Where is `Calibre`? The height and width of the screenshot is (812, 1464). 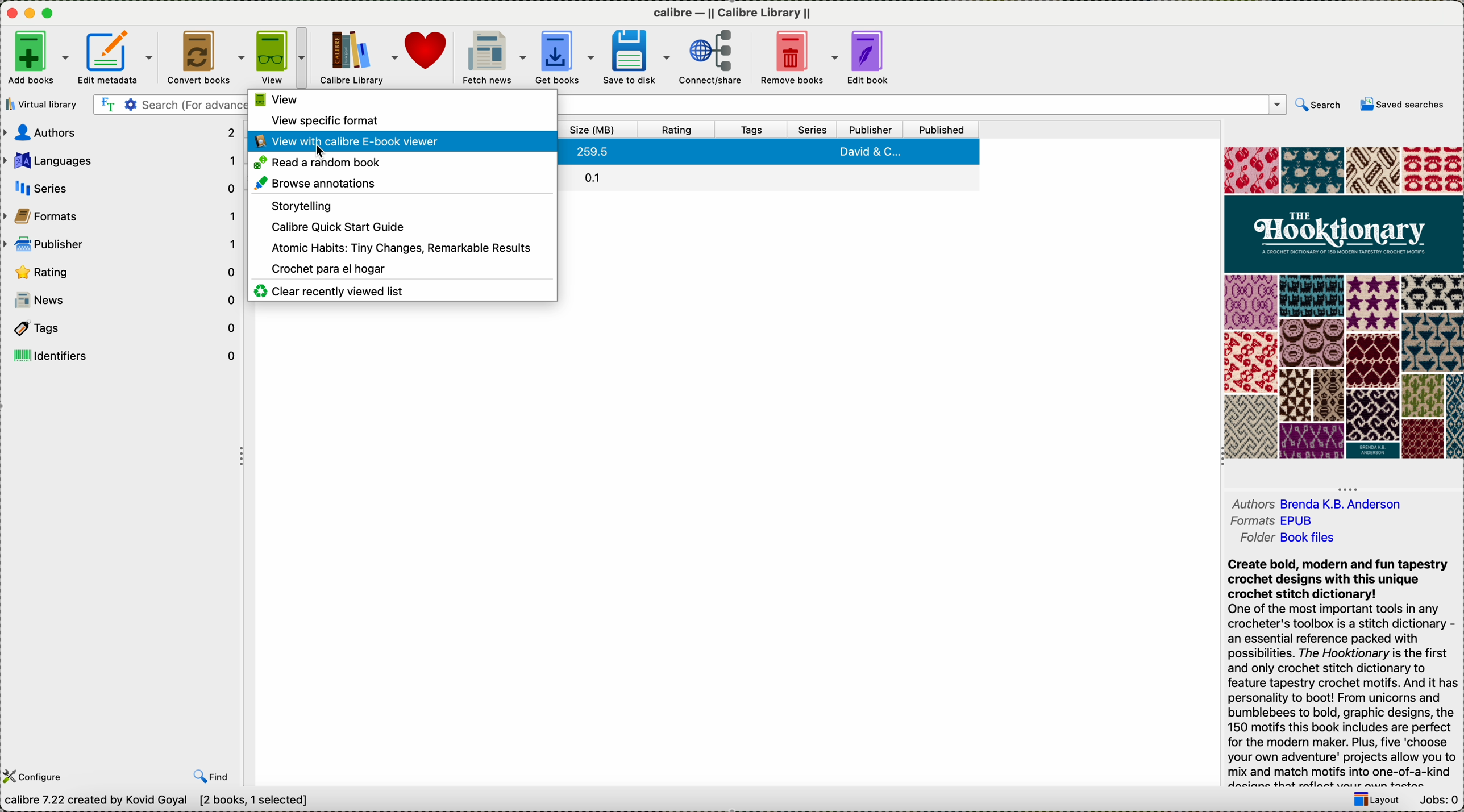
Calibre is located at coordinates (735, 13).